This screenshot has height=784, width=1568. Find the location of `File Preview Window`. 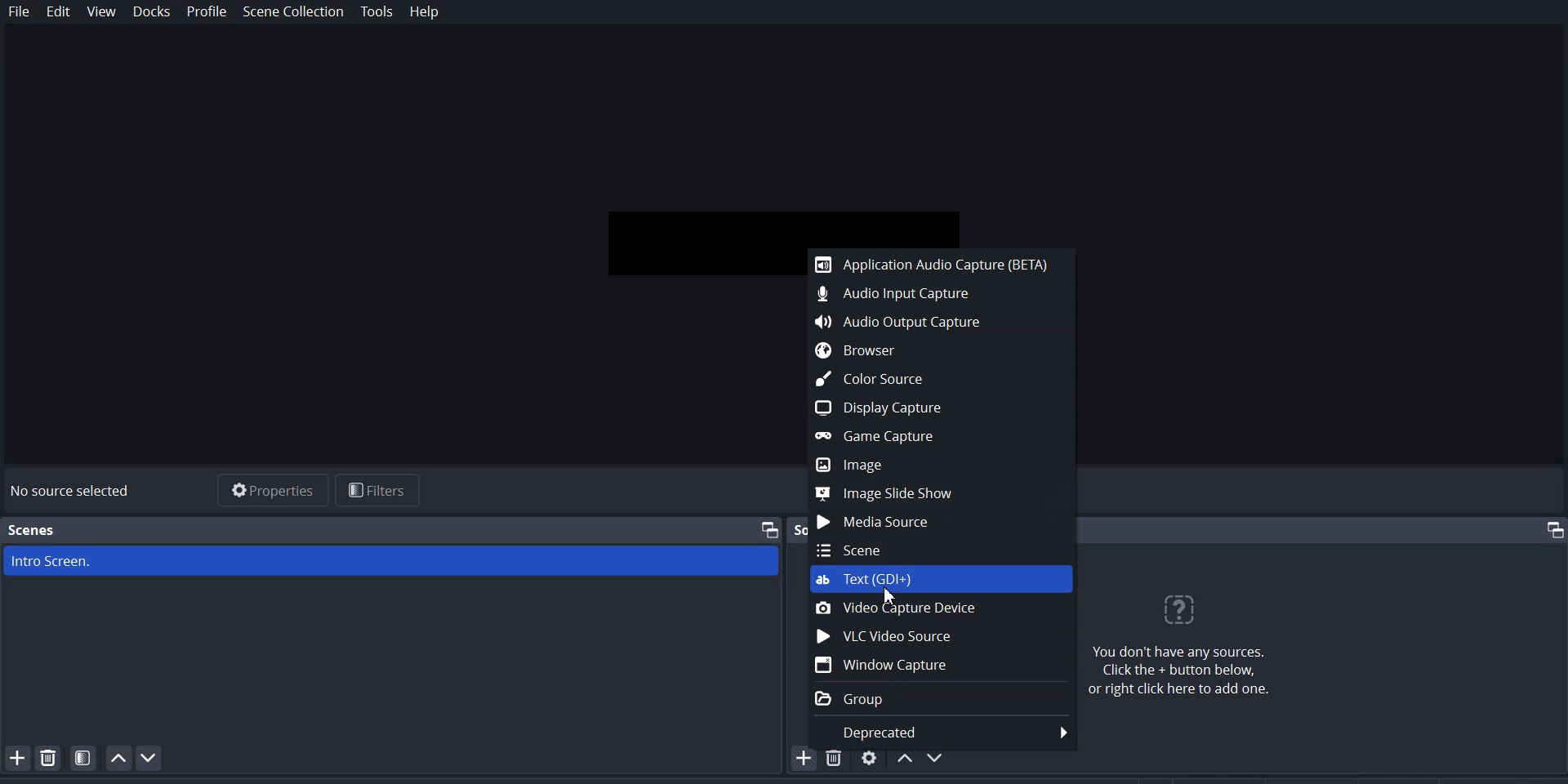

File Preview Window is located at coordinates (786, 218).